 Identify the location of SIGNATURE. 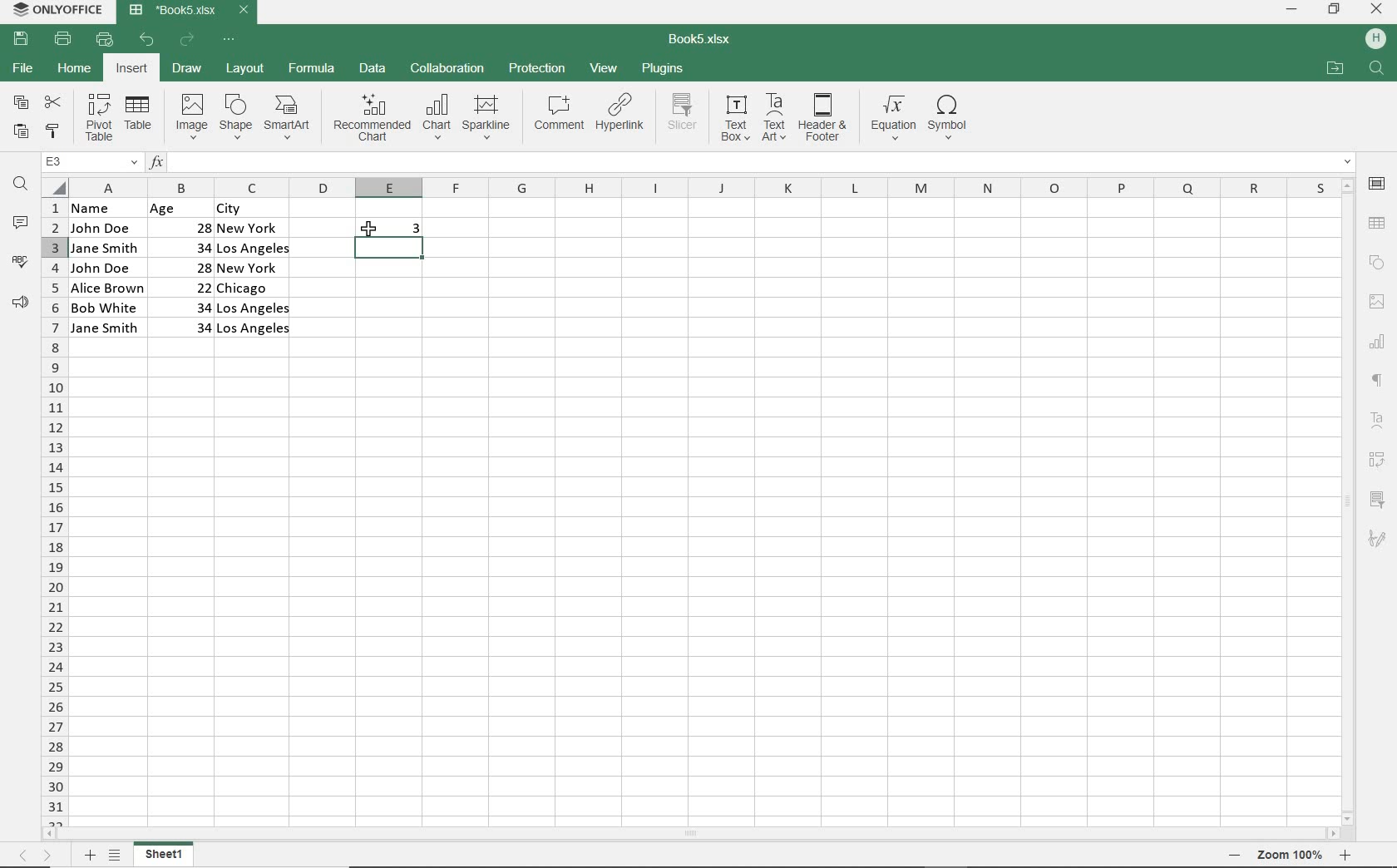
(1377, 544).